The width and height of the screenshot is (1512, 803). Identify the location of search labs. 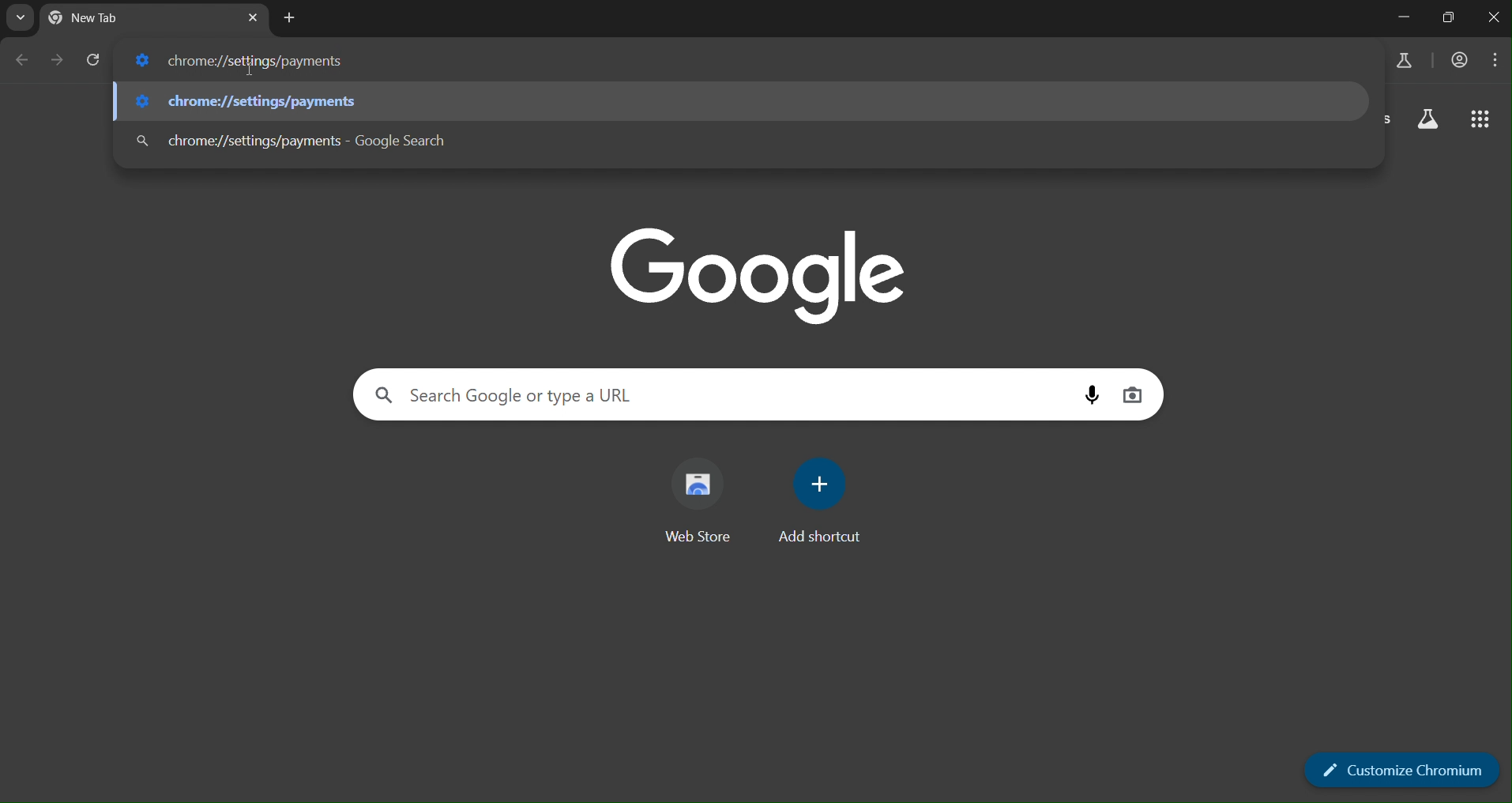
(1406, 63).